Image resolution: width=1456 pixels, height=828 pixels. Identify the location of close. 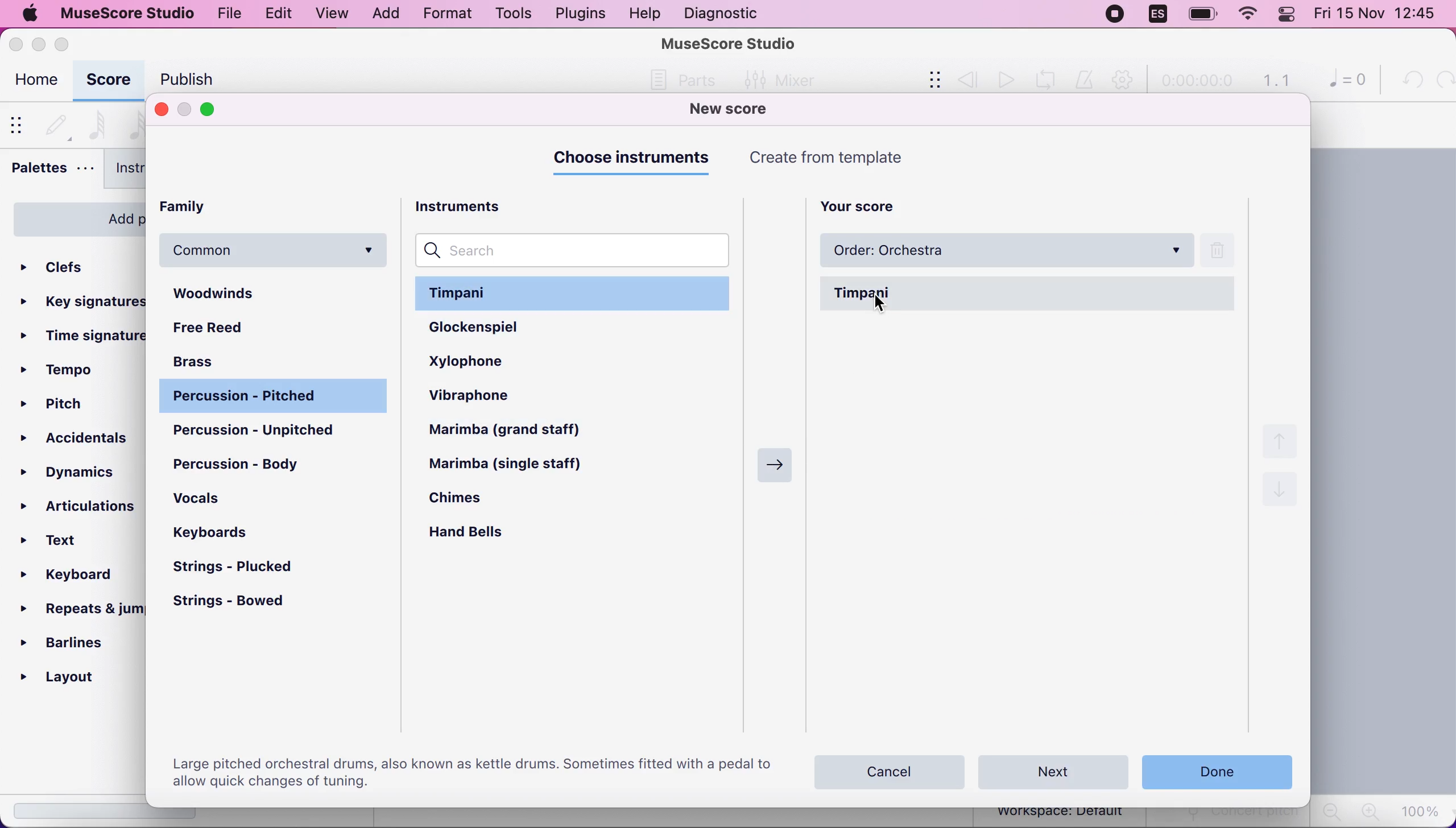
(17, 44).